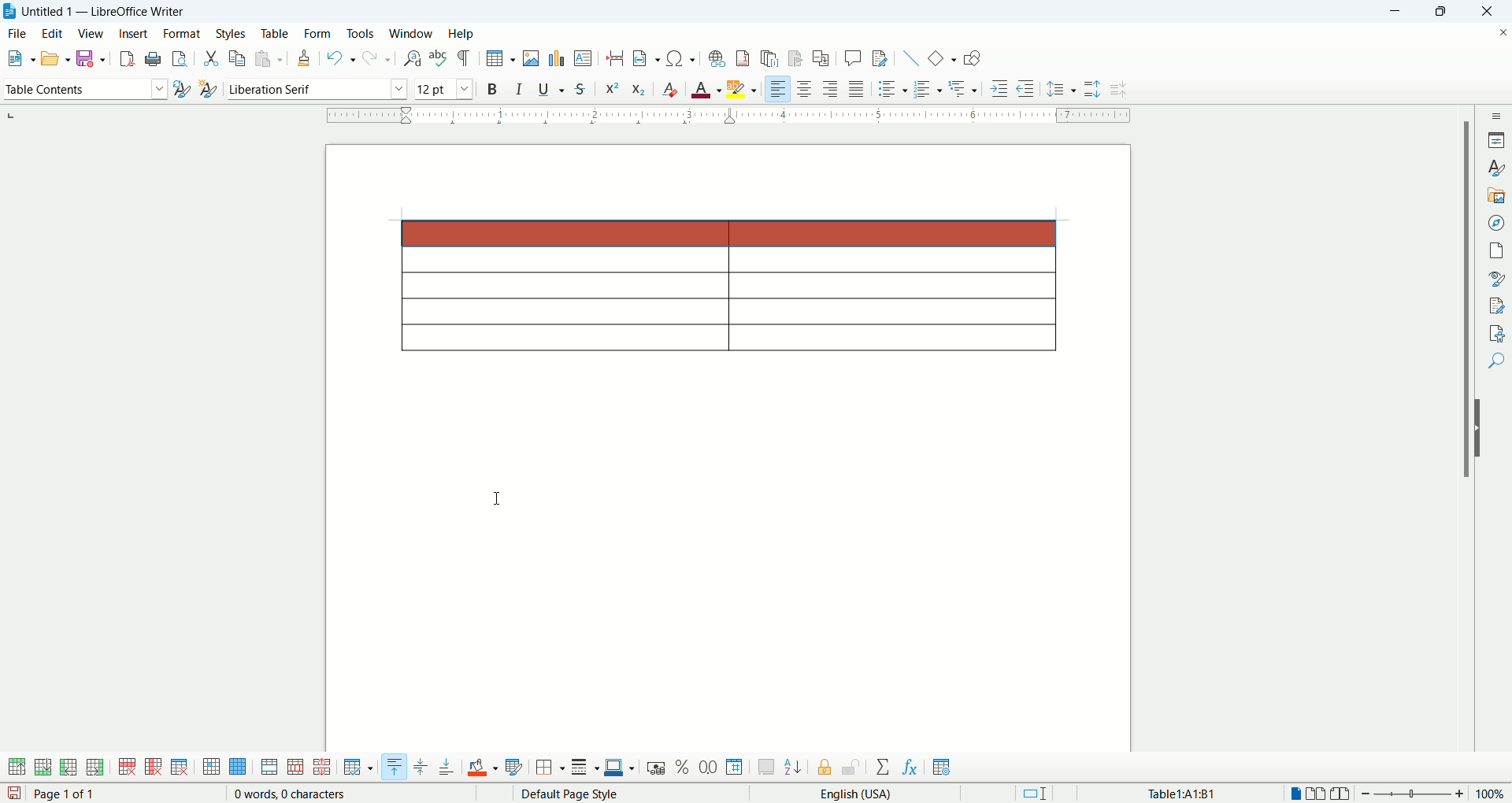 Image resolution: width=1512 pixels, height=803 pixels. I want to click on border, so click(729, 117).